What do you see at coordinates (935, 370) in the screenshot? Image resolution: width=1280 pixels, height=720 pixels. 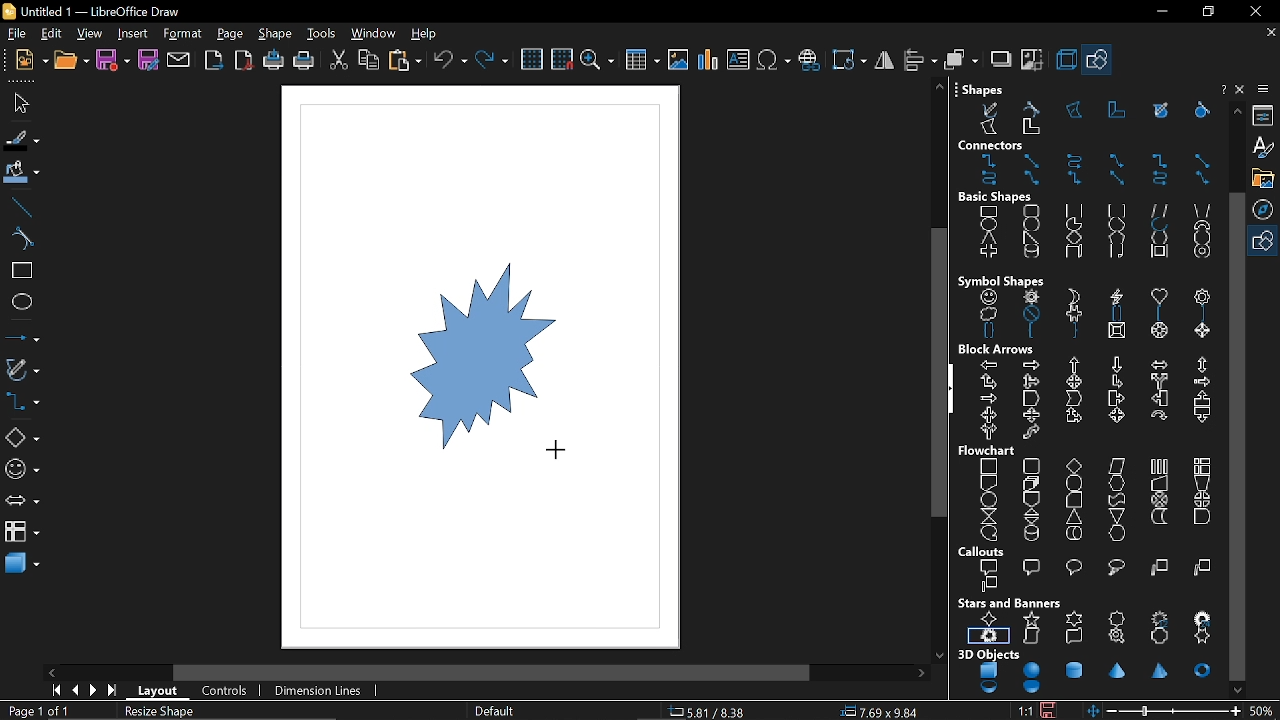 I see `Vertical scroll bar` at bounding box center [935, 370].